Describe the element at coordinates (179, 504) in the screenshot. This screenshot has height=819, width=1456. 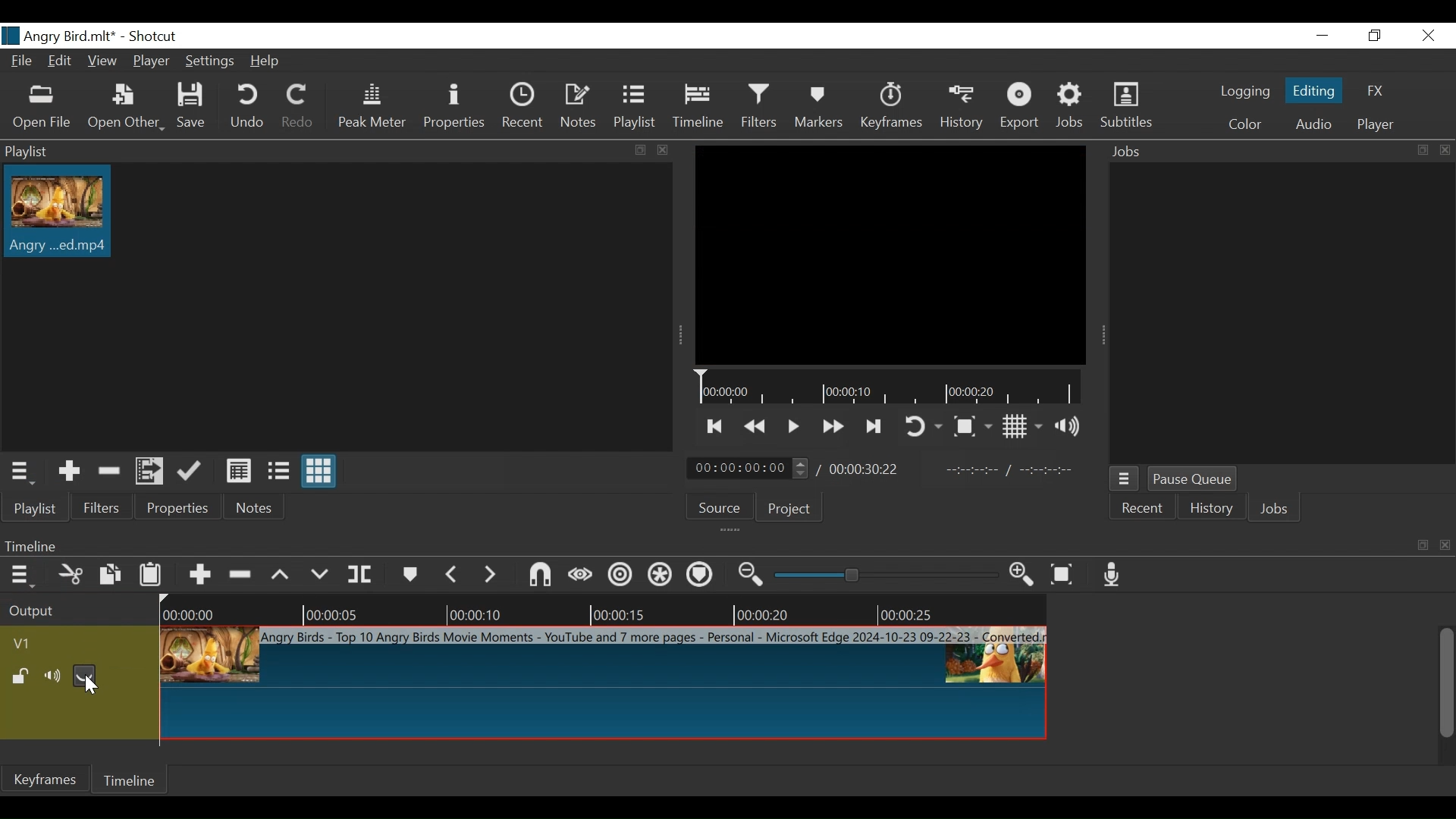
I see `Properties` at that location.